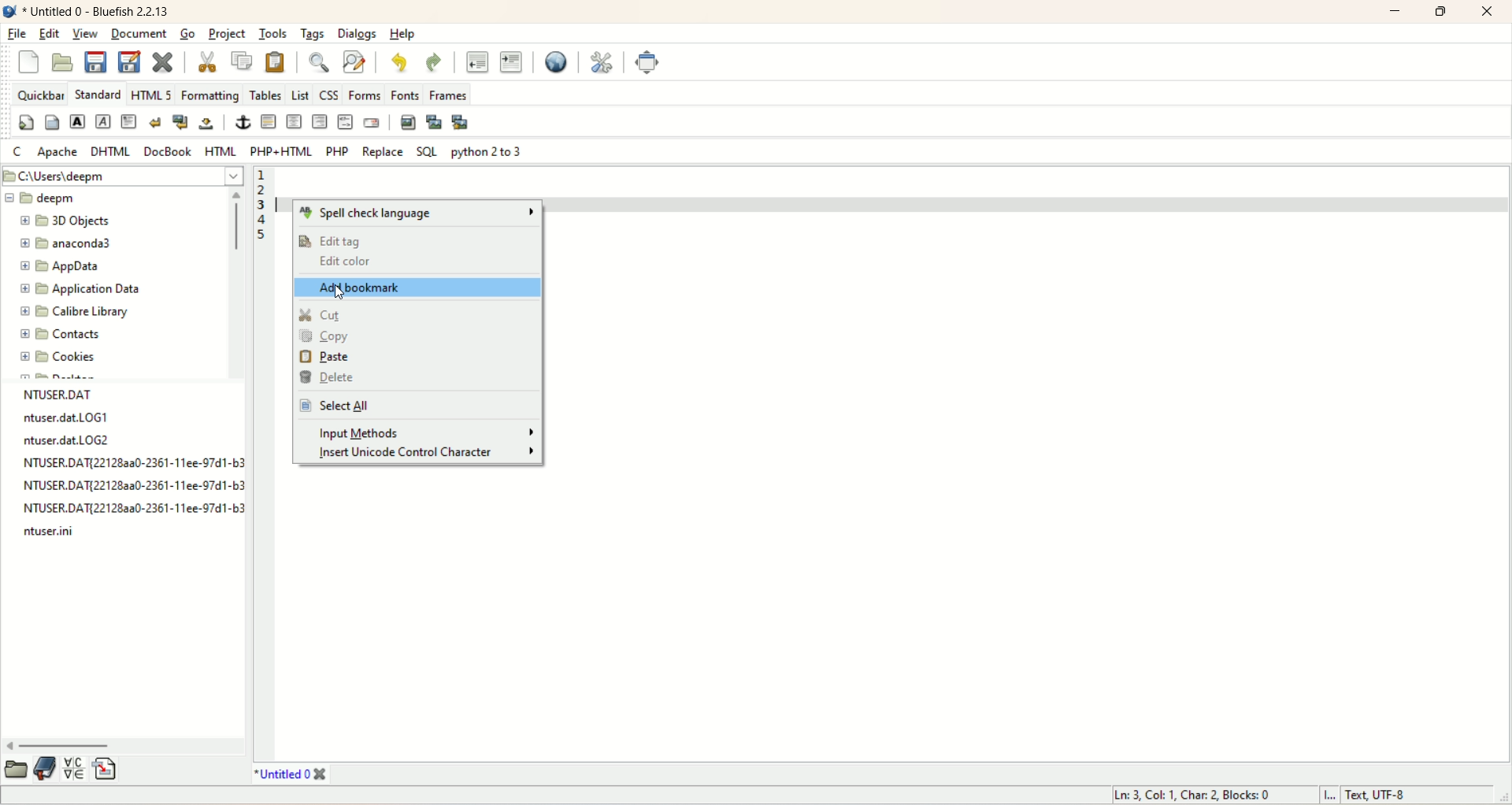 Image resolution: width=1512 pixels, height=805 pixels. What do you see at coordinates (109, 152) in the screenshot?
I see `DHTML` at bounding box center [109, 152].